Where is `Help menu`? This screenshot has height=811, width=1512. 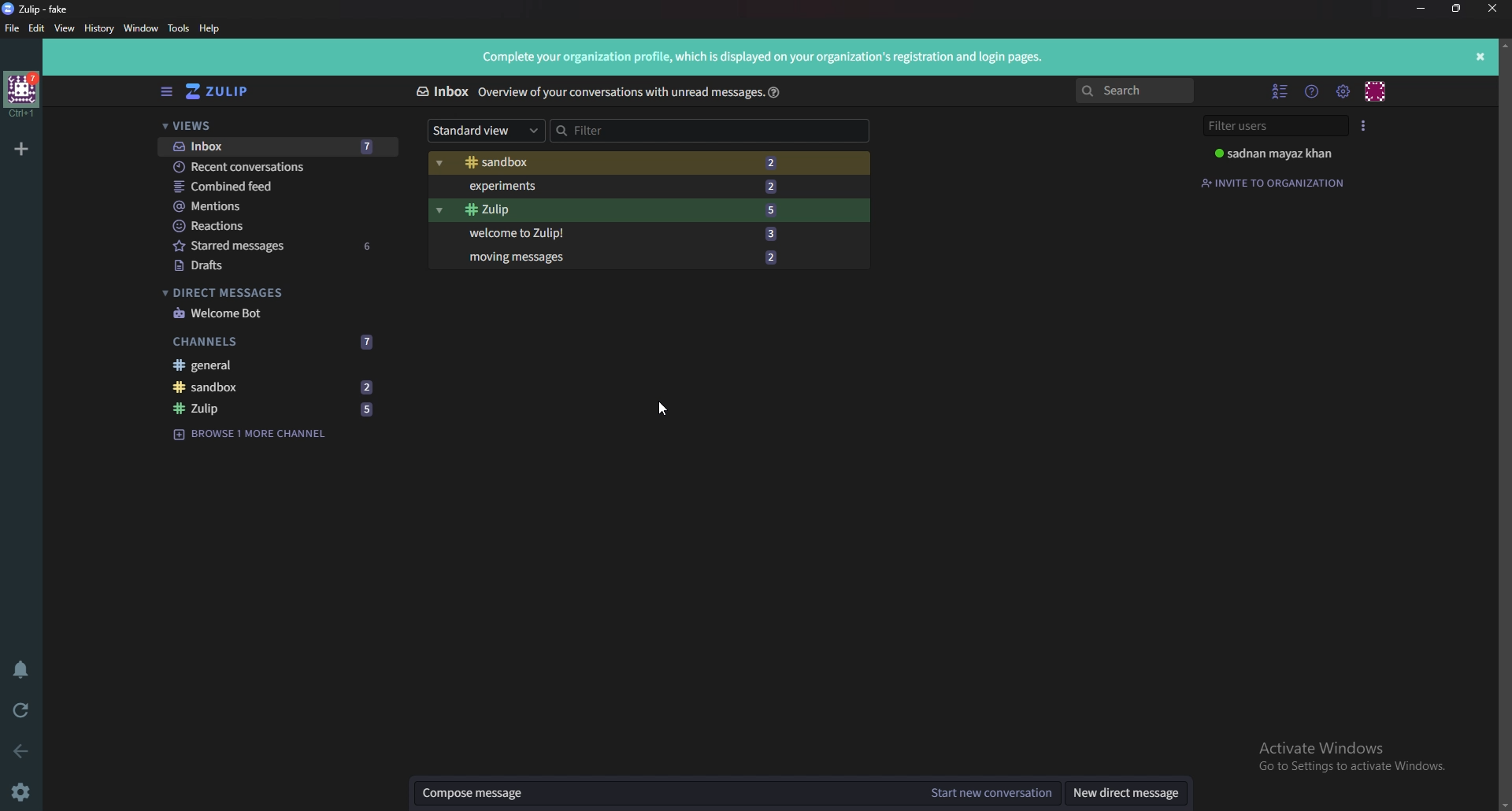
Help menu is located at coordinates (1311, 91).